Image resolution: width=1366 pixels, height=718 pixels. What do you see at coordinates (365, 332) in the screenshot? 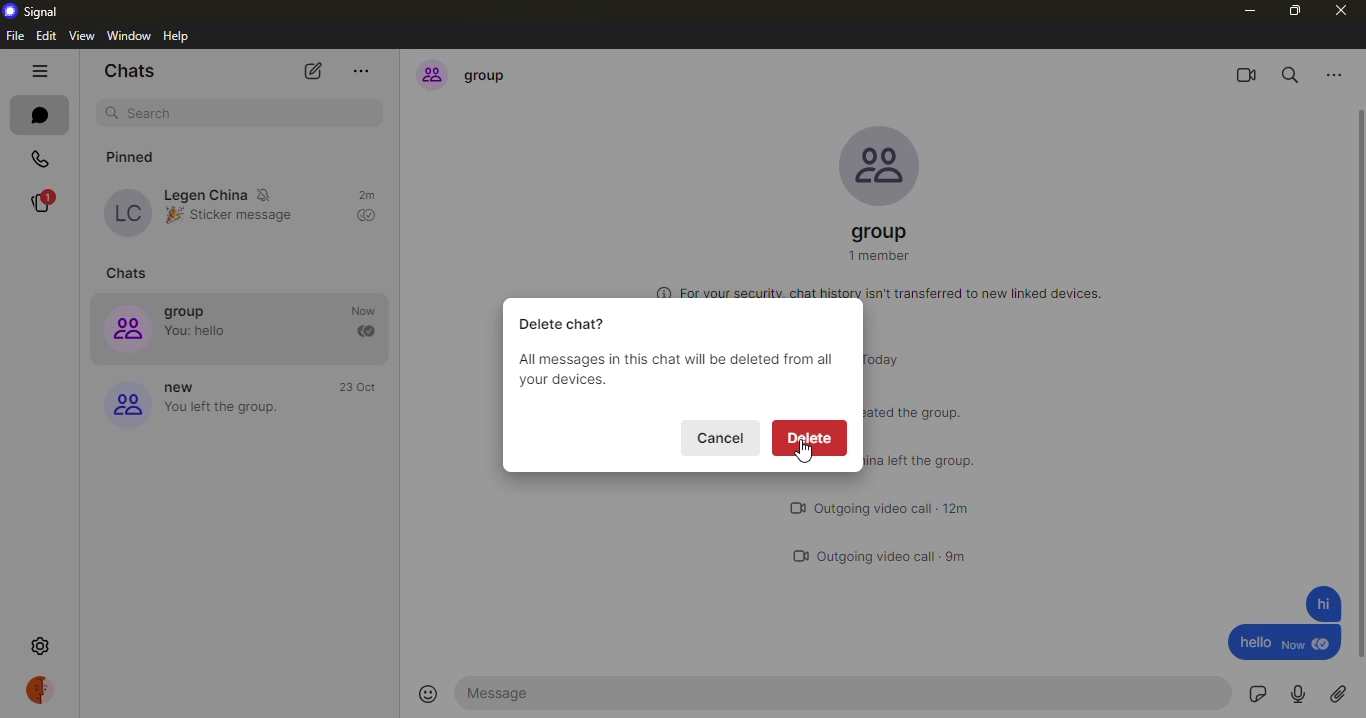
I see `sent` at bounding box center [365, 332].